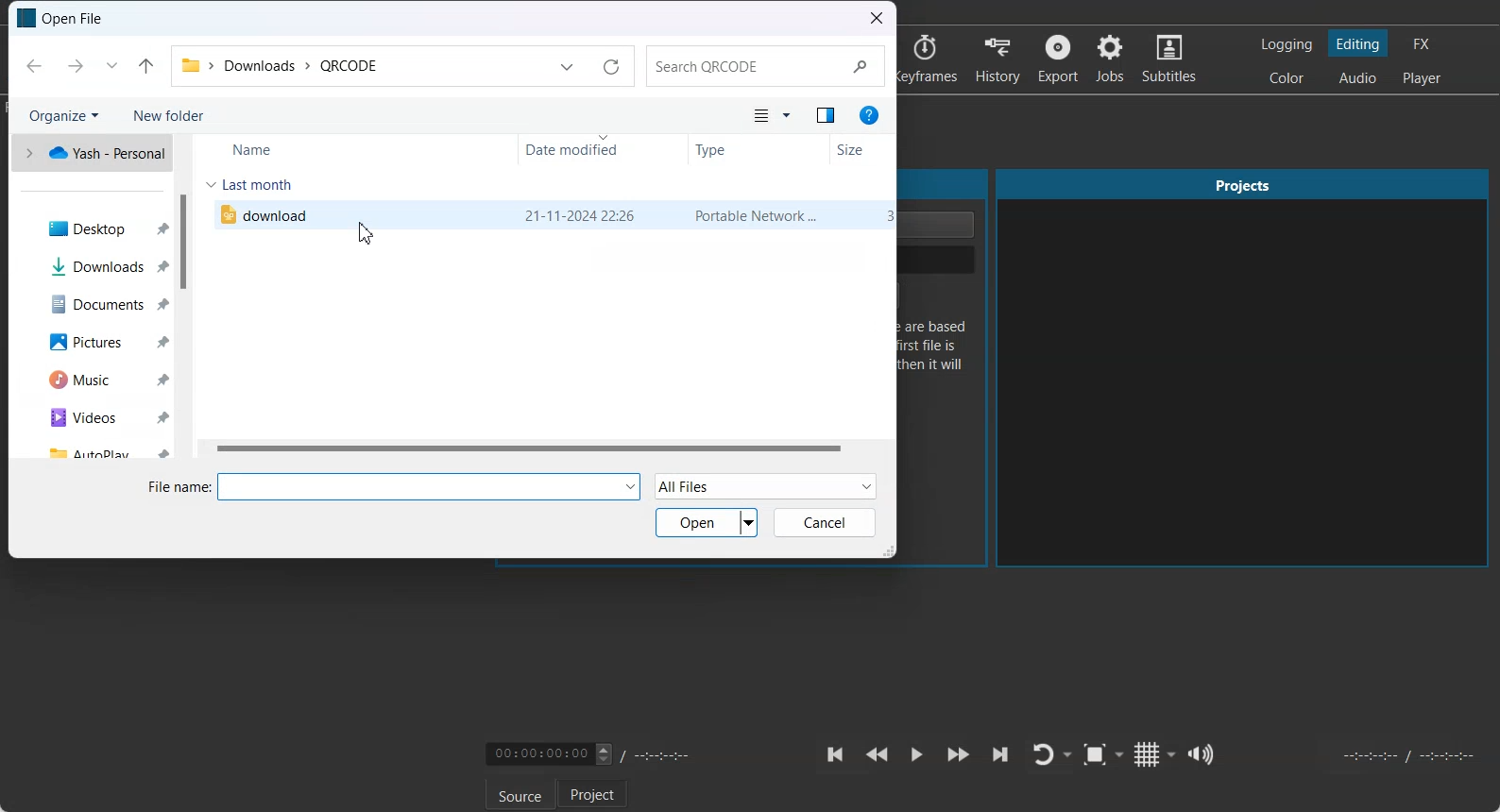 This screenshot has width=1500, height=812. What do you see at coordinates (575, 148) in the screenshot?
I see `Date Modified` at bounding box center [575, 148].